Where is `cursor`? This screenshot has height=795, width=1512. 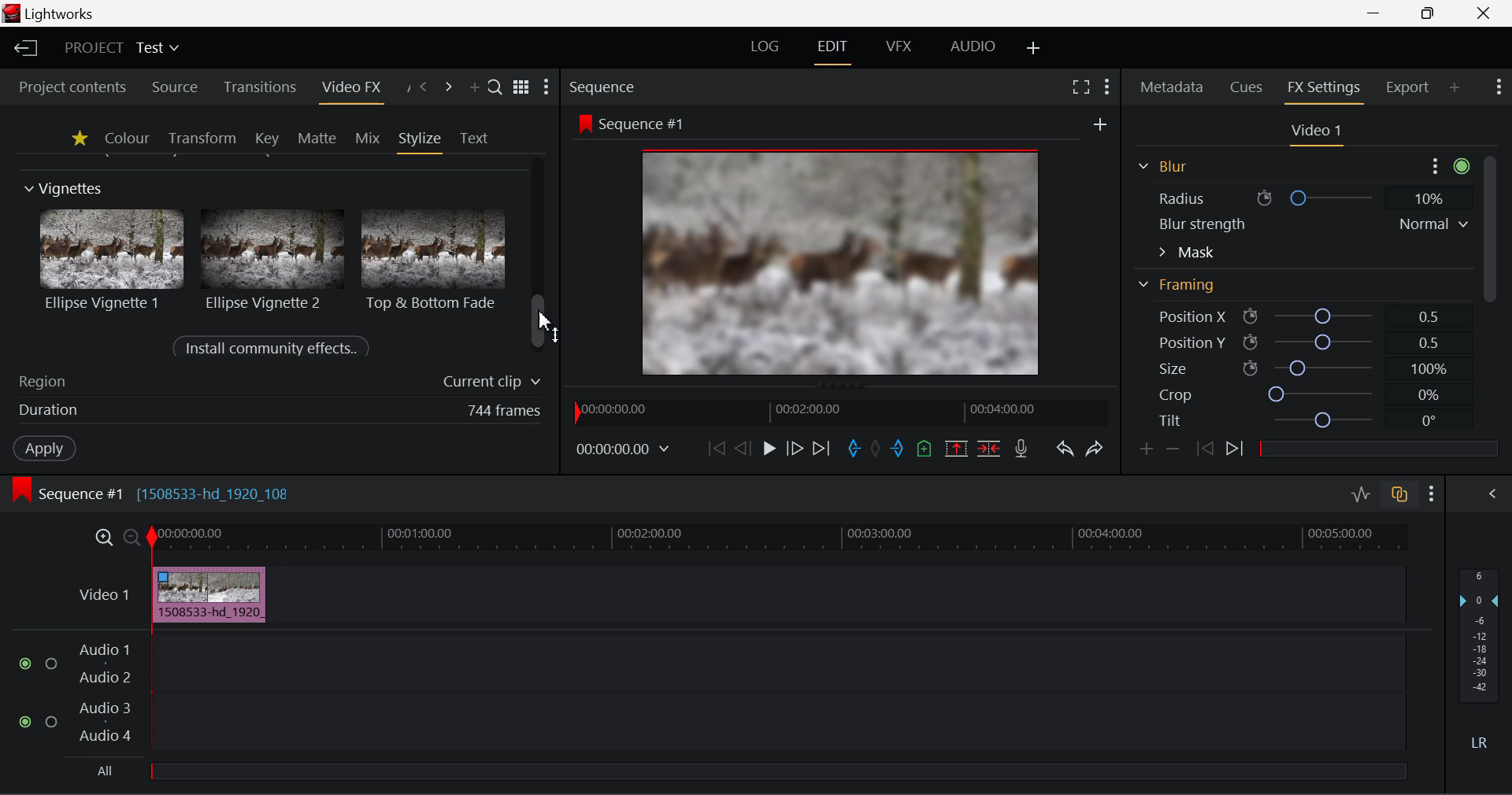
cursor is located at coordinates (546, 320).